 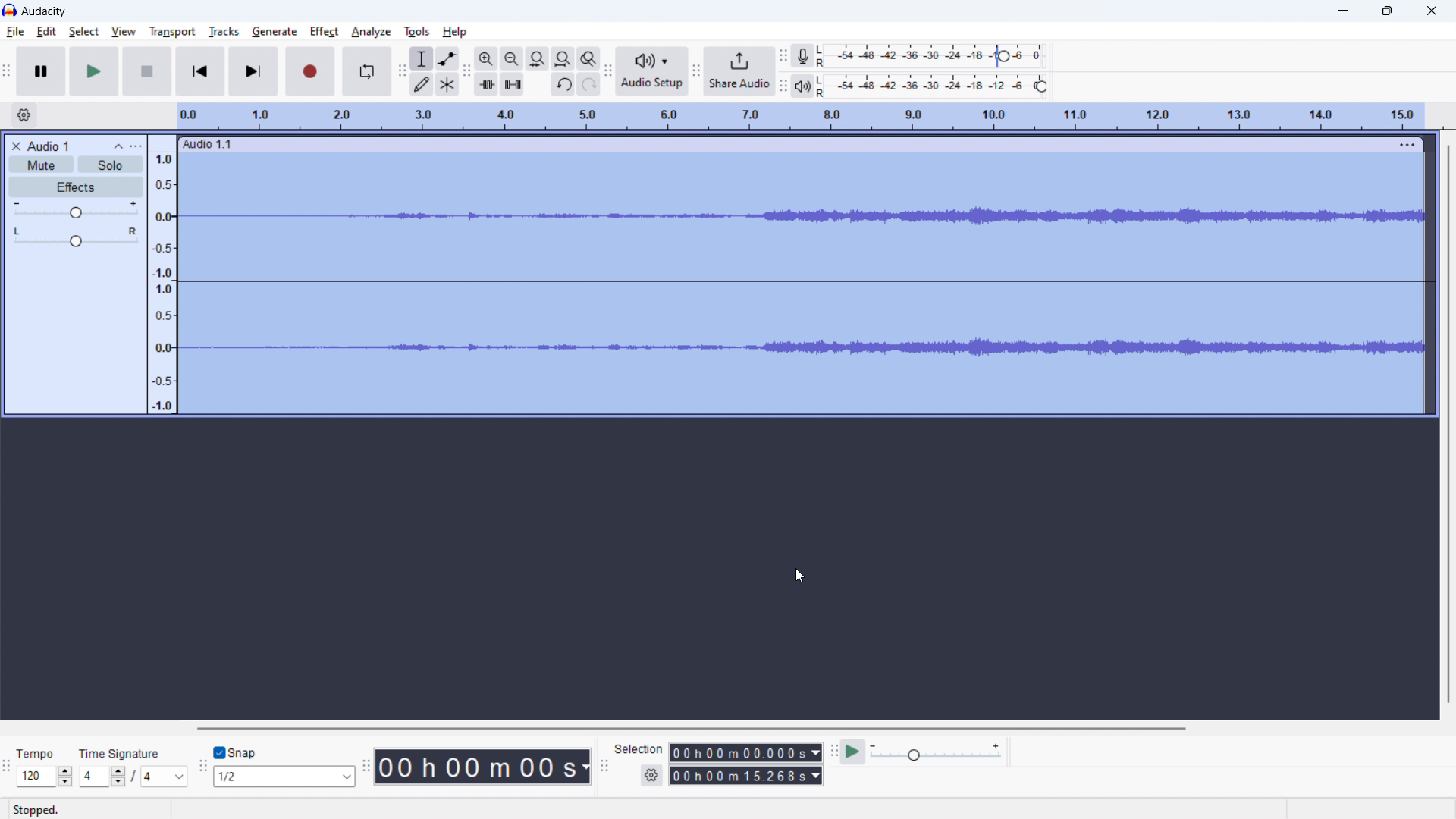 I want to click on set time signature, so click(x=133, y=767).